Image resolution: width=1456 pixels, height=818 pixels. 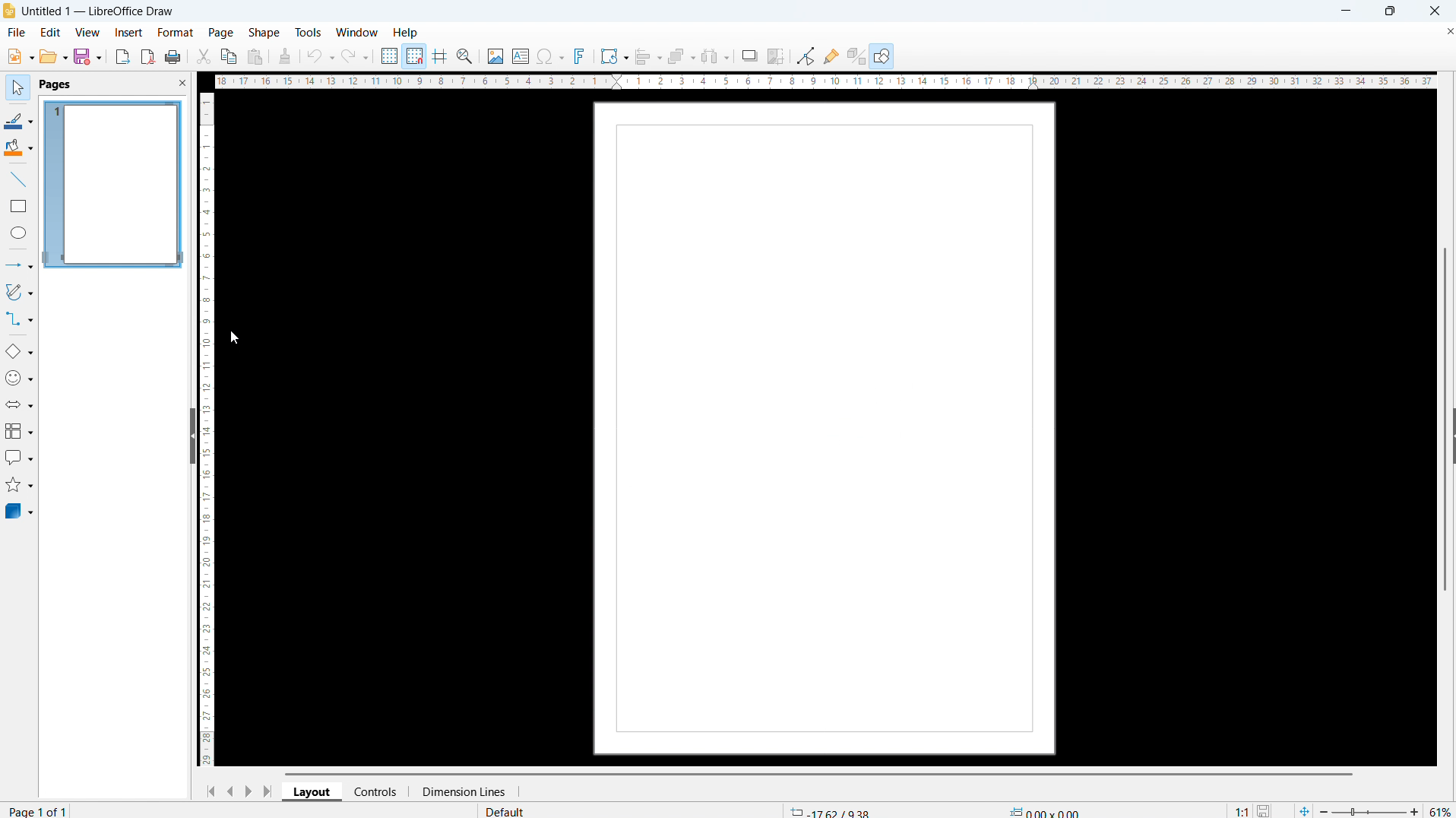 What do you see at coordinates (18, 179) in the screenshot?
I see `line tool` at bounding box center [18, 179].